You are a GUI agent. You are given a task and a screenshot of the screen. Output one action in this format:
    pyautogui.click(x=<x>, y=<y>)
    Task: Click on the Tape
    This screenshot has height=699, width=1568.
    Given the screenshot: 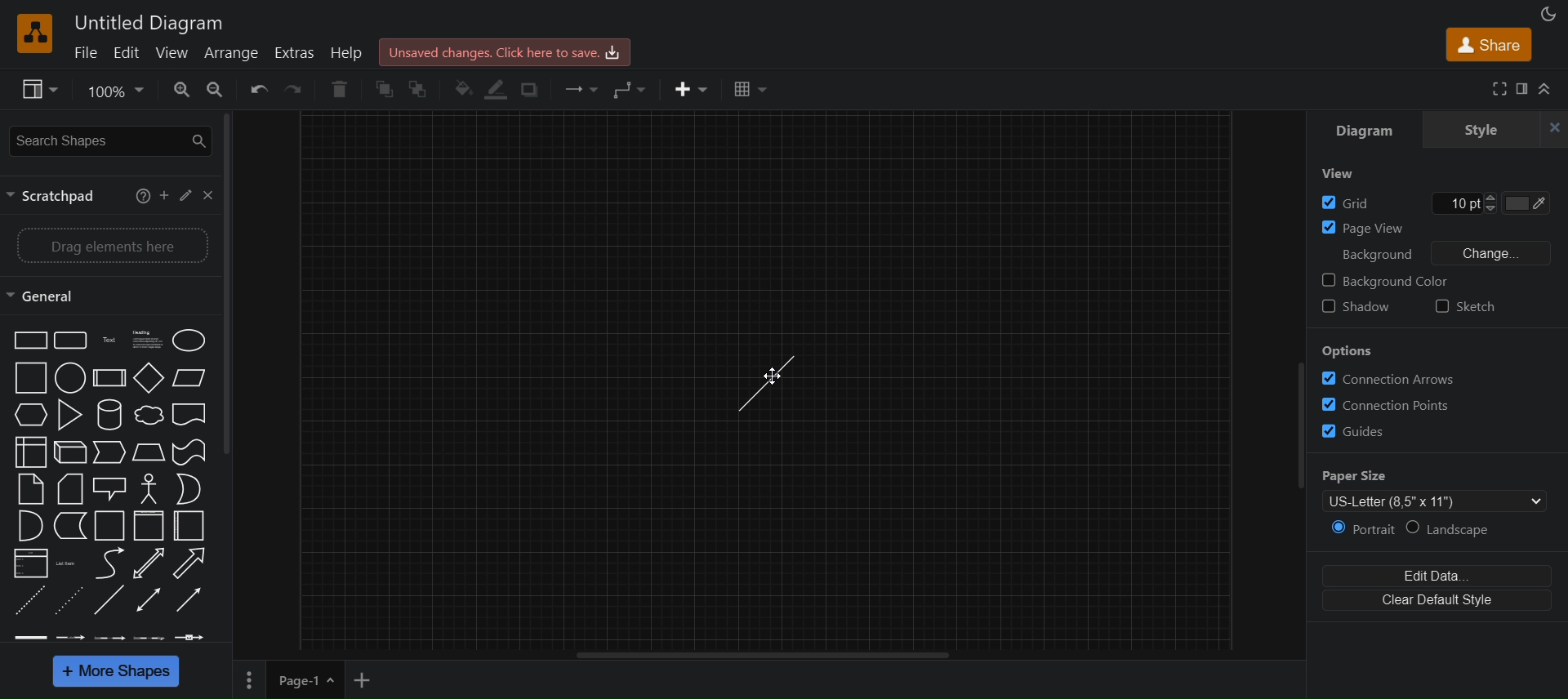 What is the action you would take?
    pyautogui.click(x=188, y=452)
    